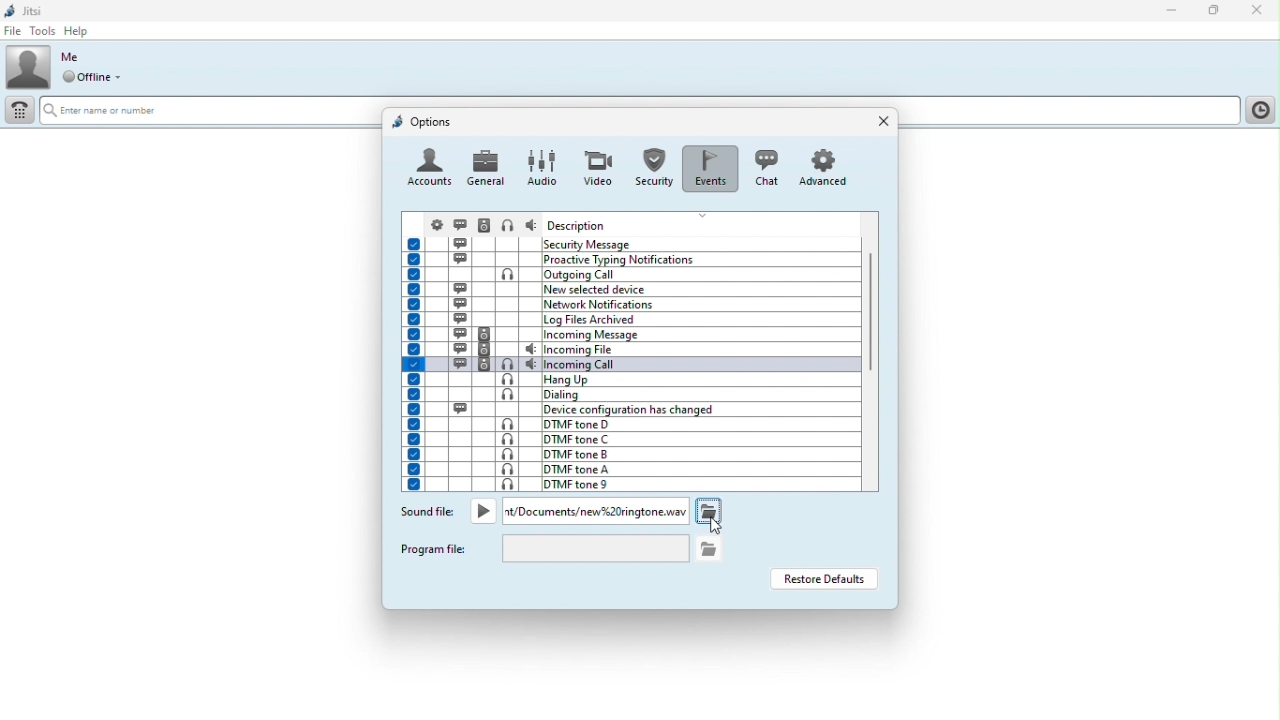  Describe the element at coordinates (709, 163) in the screenshot. I see `Events` at that location.